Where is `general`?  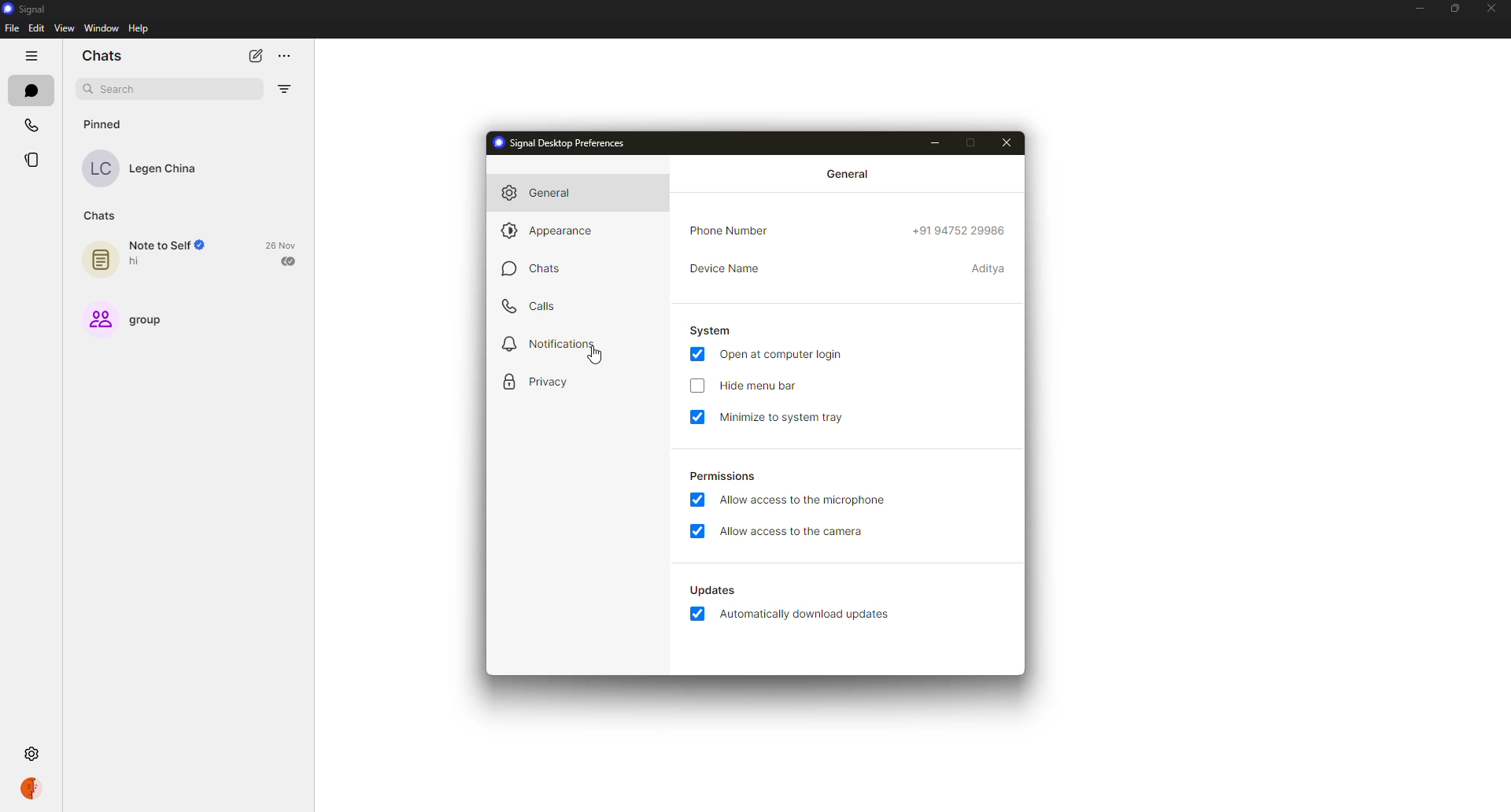 general is located at coordinates (848, 174).